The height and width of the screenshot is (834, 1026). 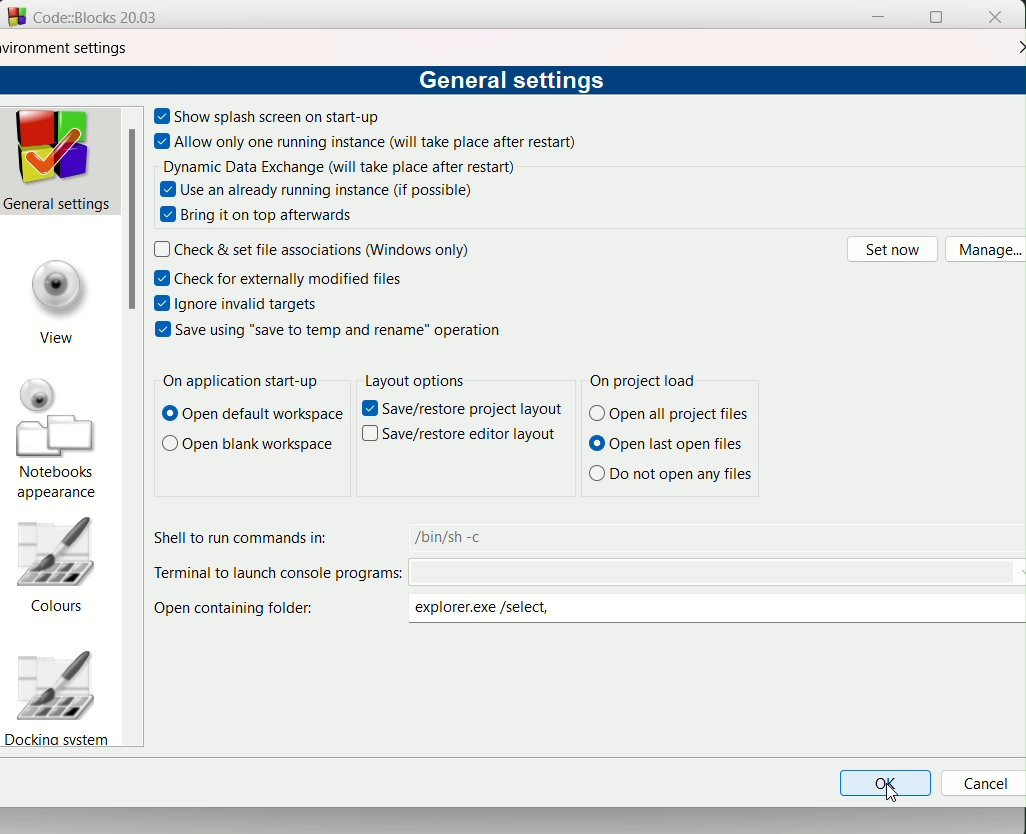 I want to click on text, so click(x=237, y=382).